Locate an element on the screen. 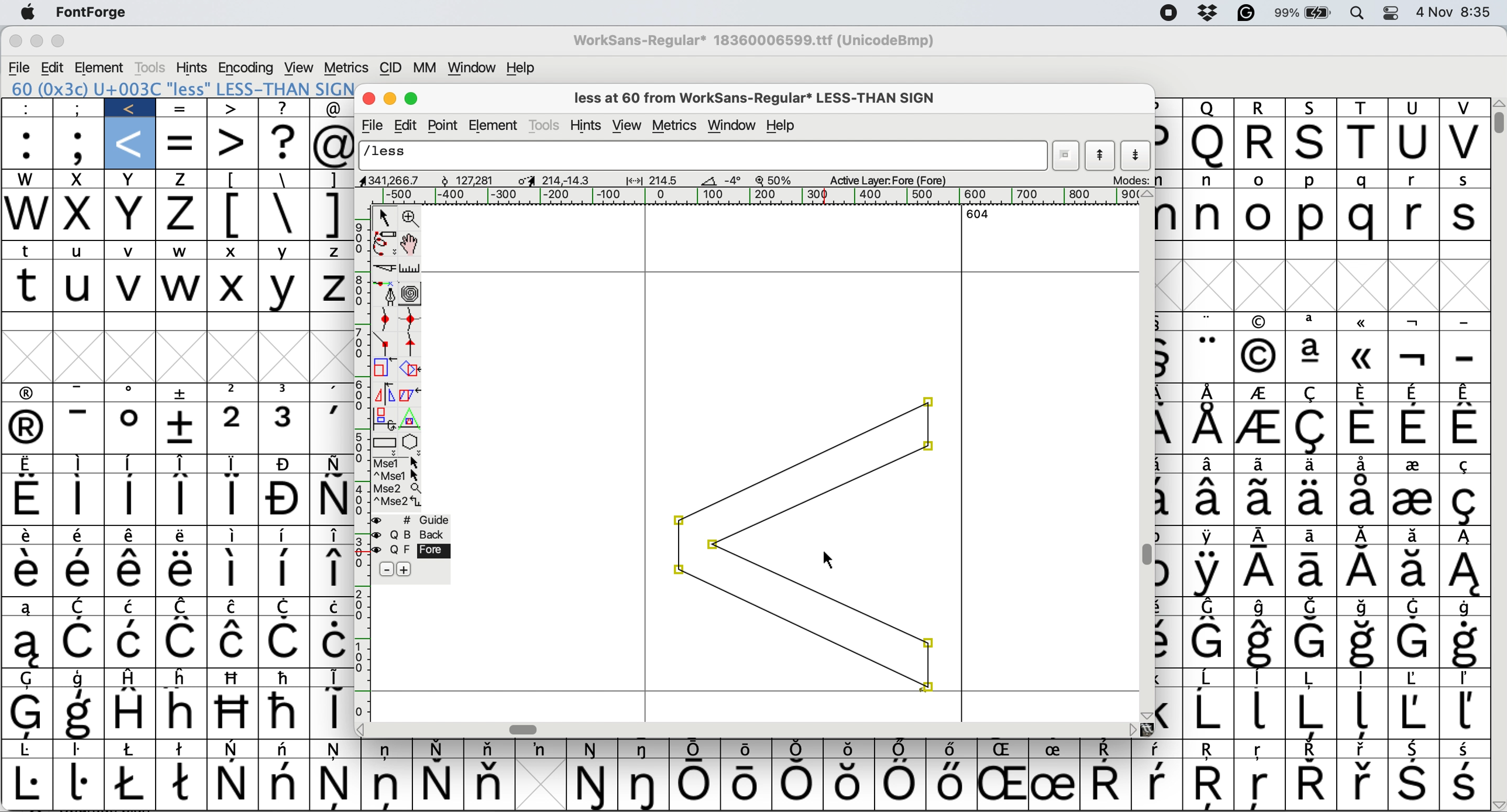  Symbol is located at coordinates (1464, 713).